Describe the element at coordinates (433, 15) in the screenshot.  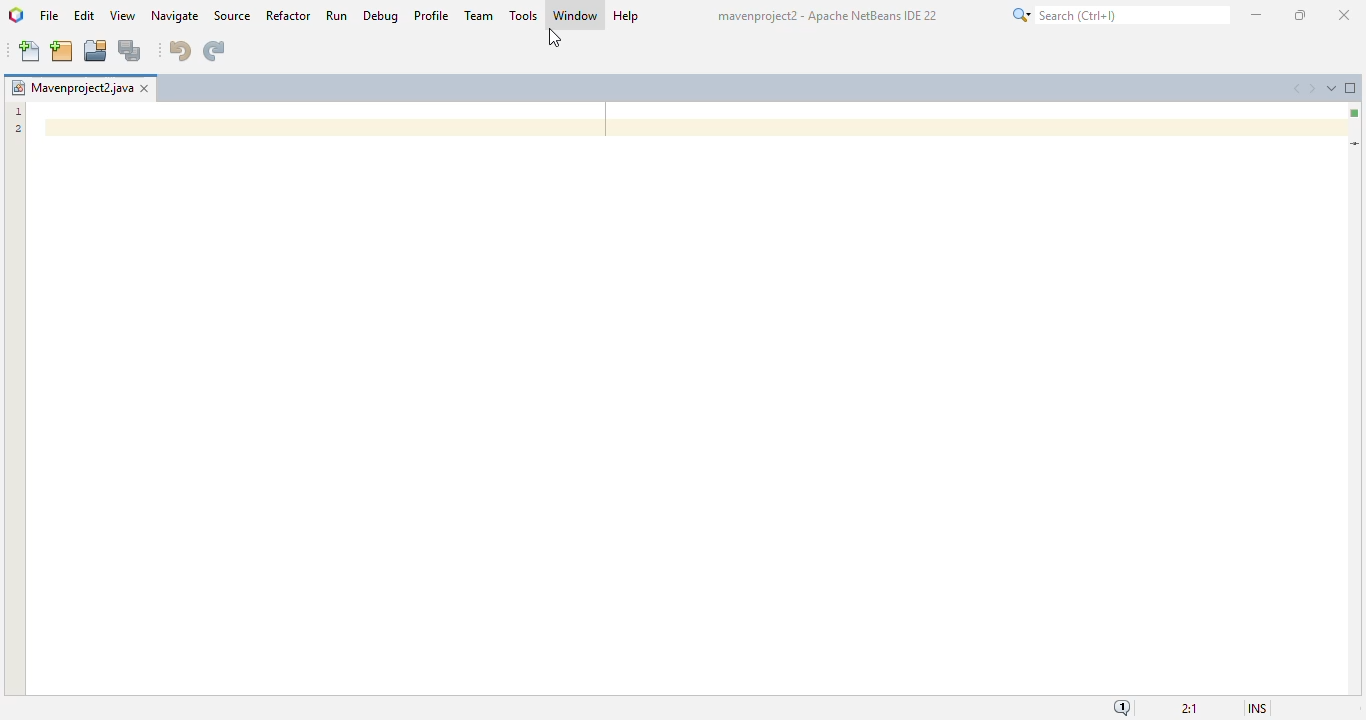
I see `profile` at that location.